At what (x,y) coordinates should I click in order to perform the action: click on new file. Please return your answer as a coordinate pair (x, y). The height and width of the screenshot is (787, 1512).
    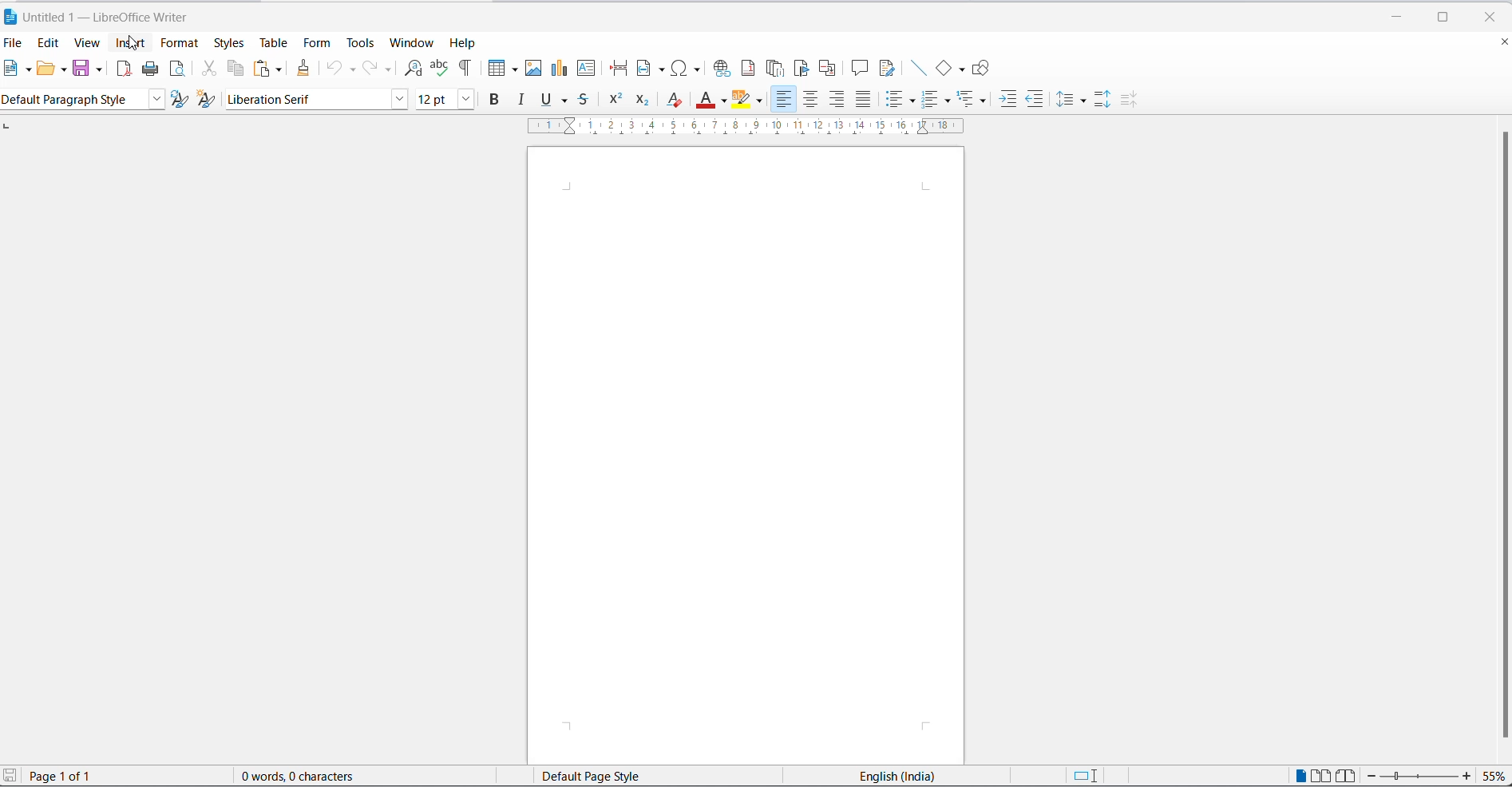
    Looking at the image, I should click on (10, 69).